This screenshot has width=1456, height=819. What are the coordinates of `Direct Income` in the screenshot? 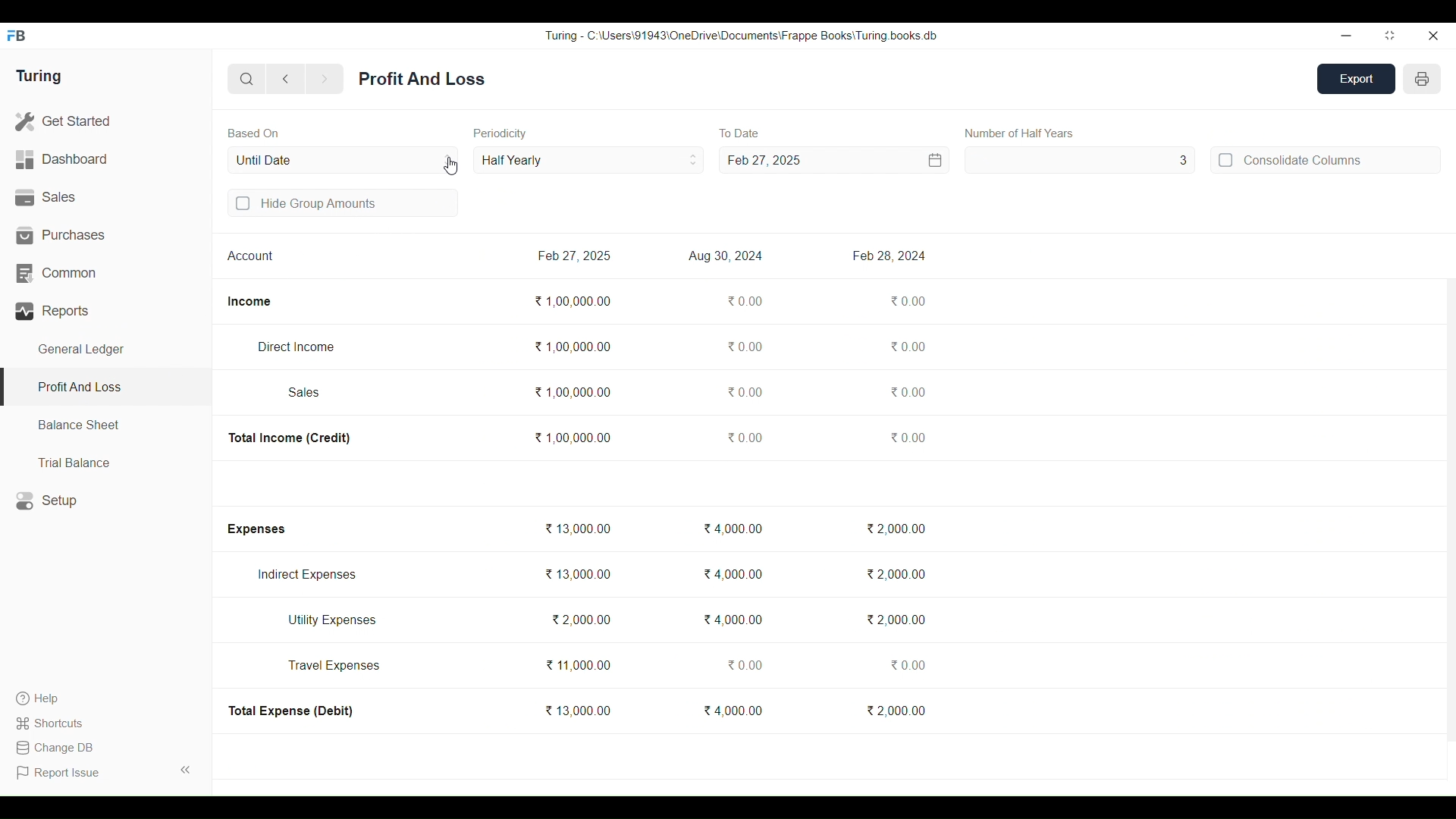 It's located at (295, 347).